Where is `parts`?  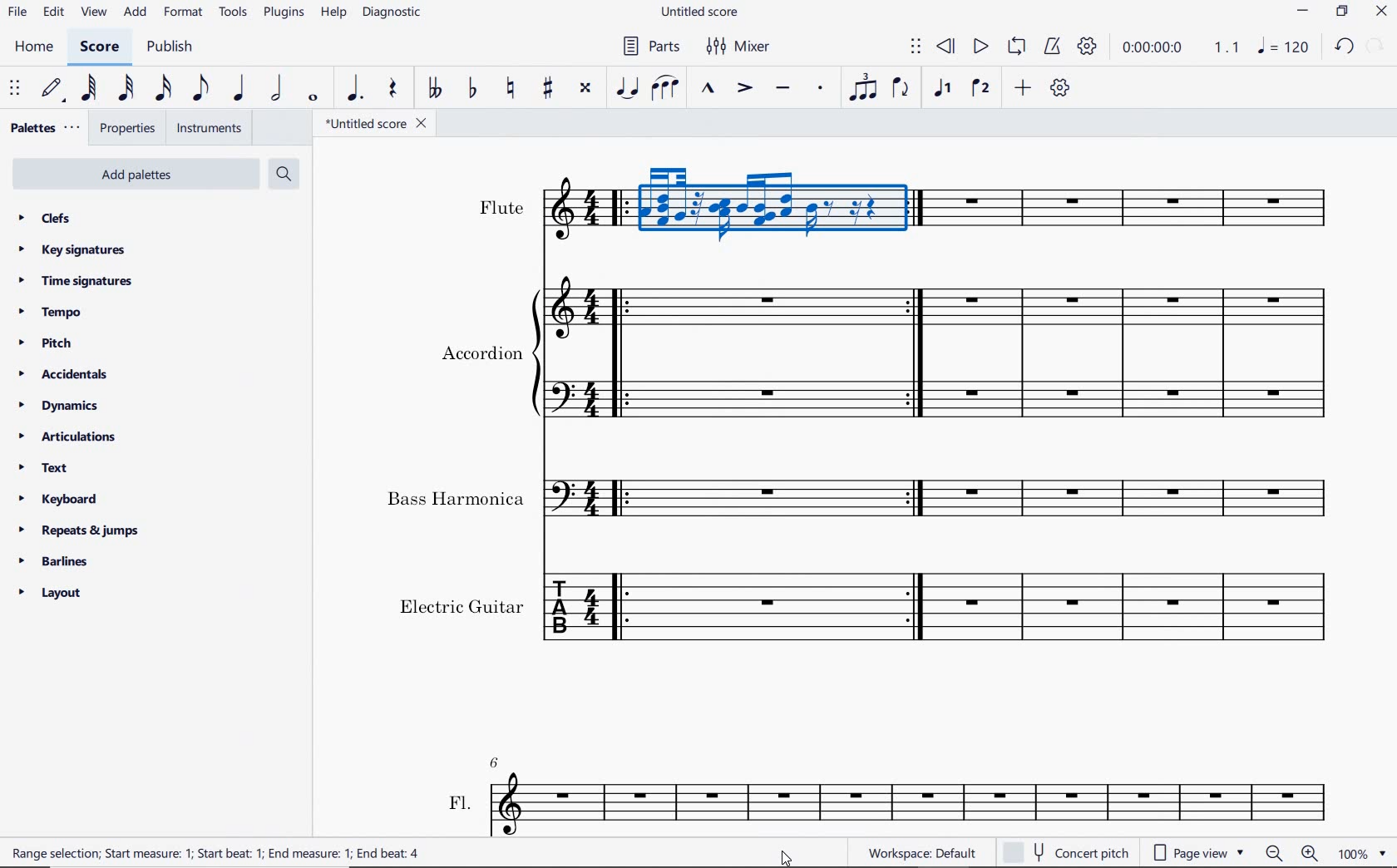 parts is located at coordinates (648, 46).